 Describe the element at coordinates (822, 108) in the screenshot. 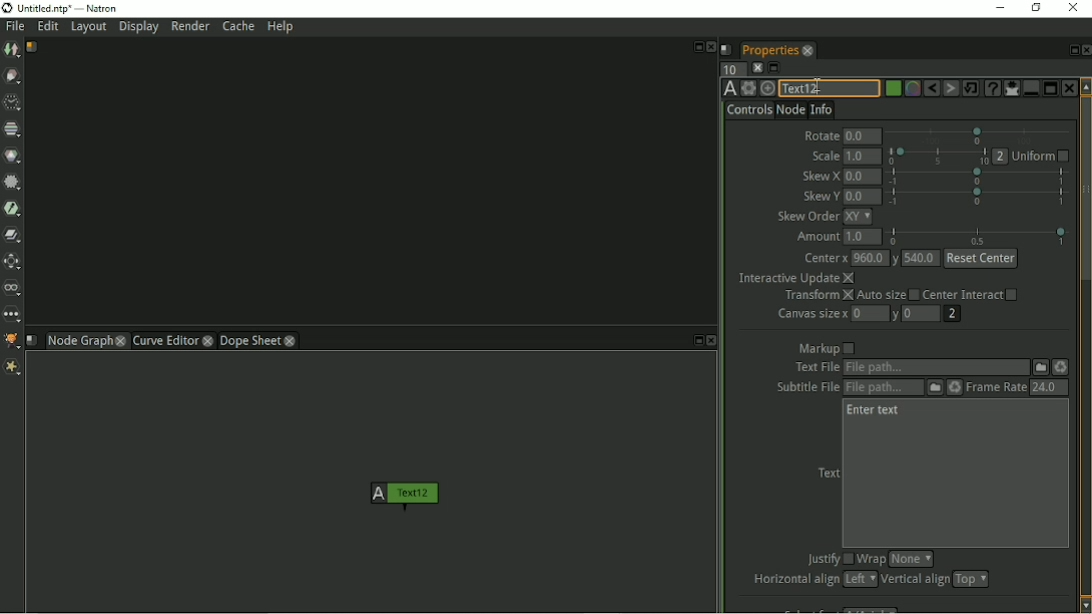

I see `Info` at that location.